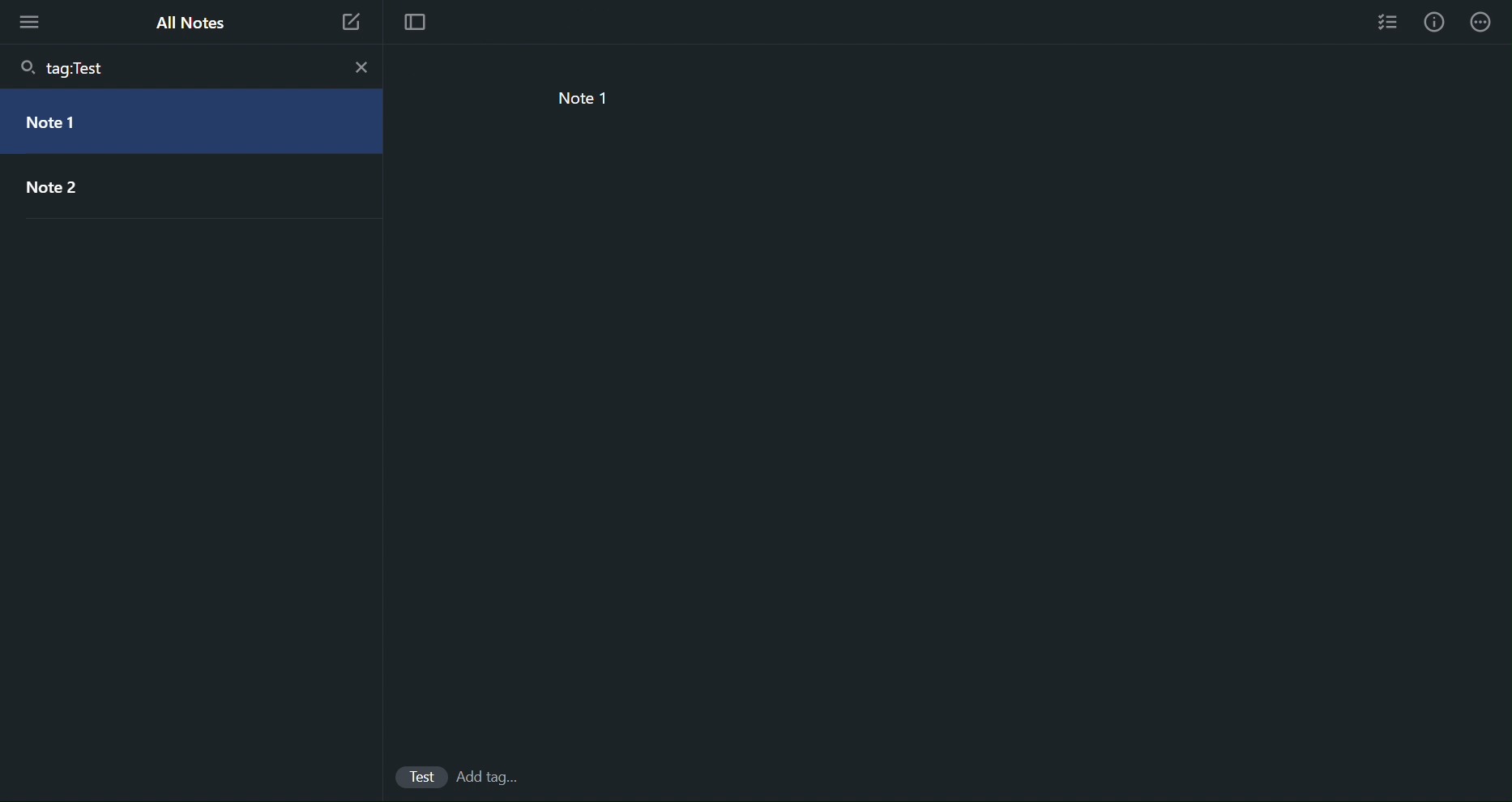  I want to click on tag:Test, so click(67, 66).